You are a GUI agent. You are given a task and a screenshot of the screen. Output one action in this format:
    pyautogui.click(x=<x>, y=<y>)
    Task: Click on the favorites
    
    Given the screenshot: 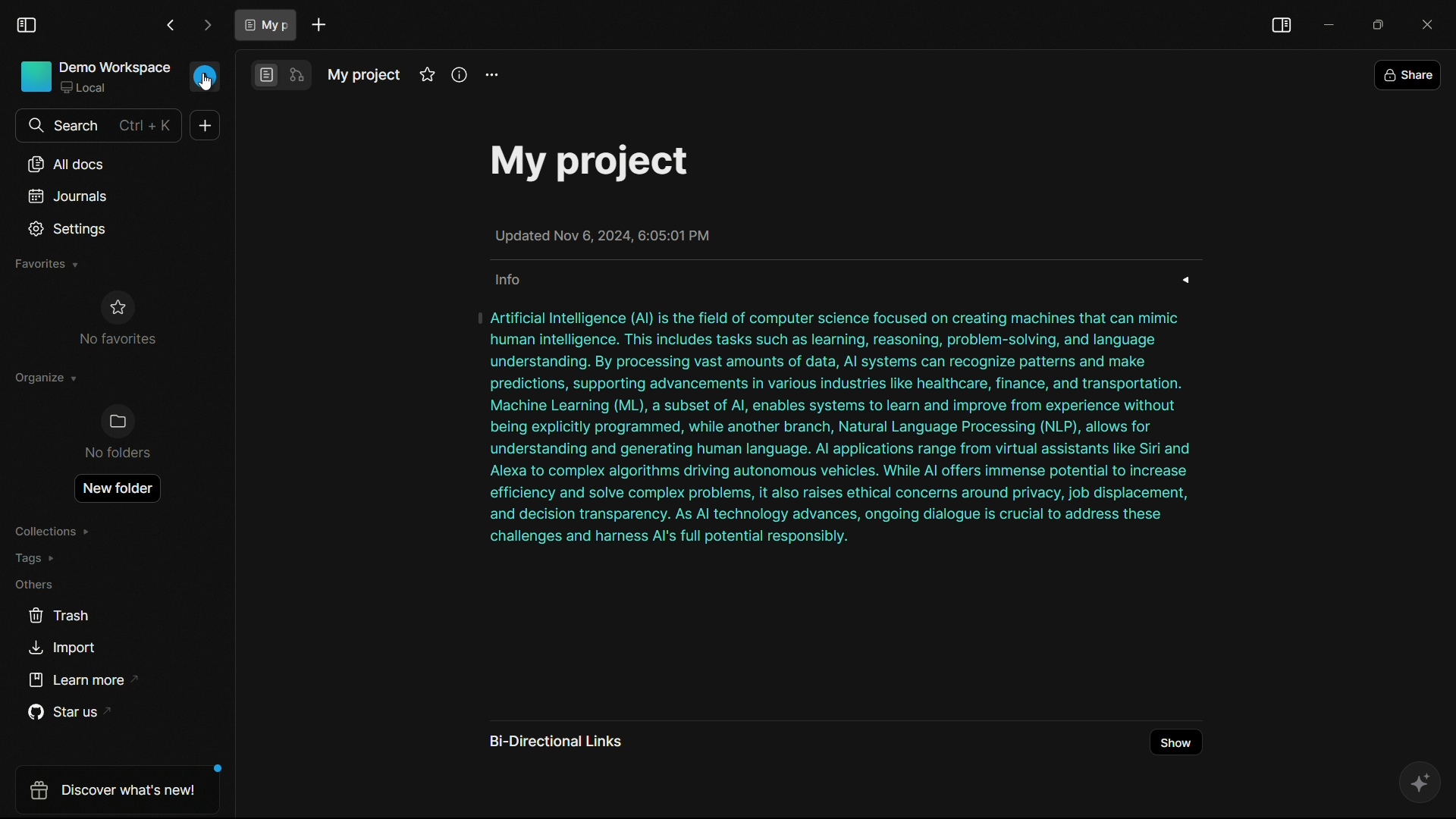 What is the action you would take?
    pyautogui.click(x=431, y=75)
    